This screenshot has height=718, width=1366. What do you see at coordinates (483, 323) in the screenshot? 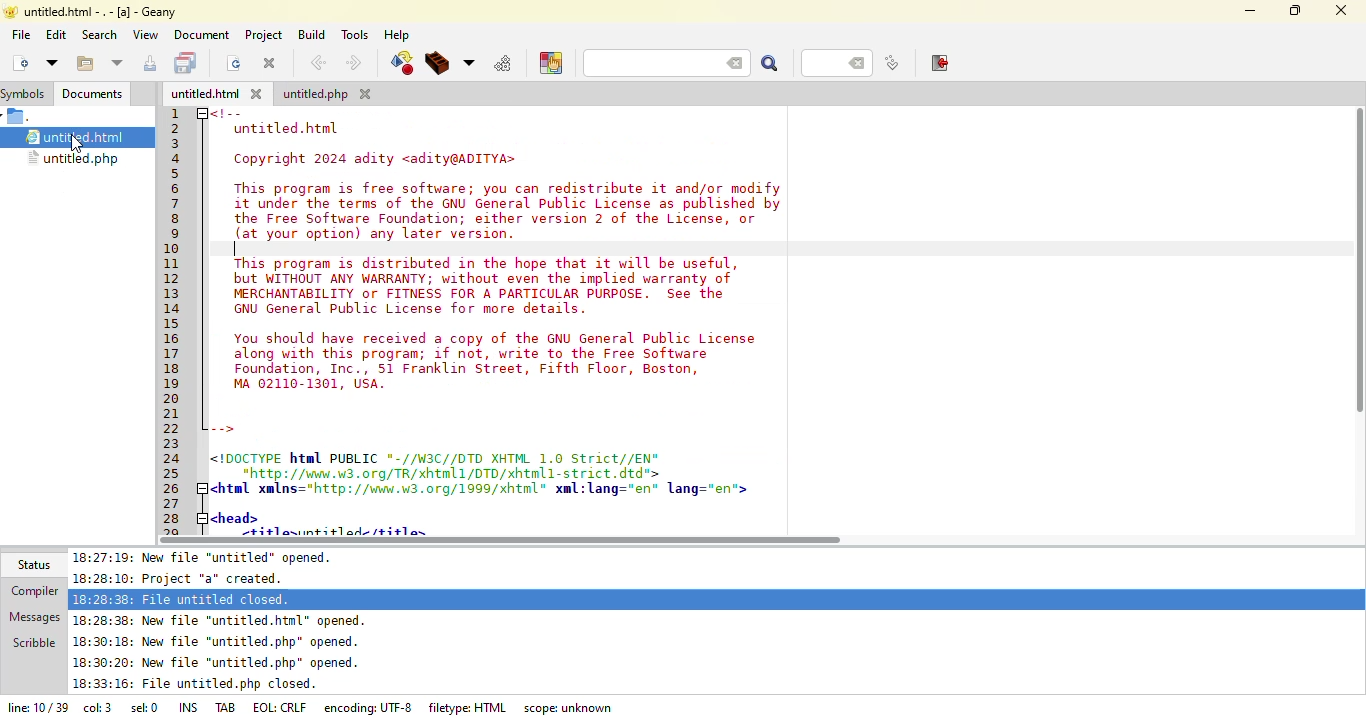
I see `untitled.html
Copyright 2024 adity <adity@ADITYA>
This program is free software; you can redistribute it and/or modify
it under the terms of the GNU General Public License as published by
the Free Software Foundation; either version 2 of the License, or
(at your option) any later version.
This program is distributed in the hope that it will be useful,
but WITHOUT ANY WARRANTY; without even the implied warranty of
MERCHANTABILITY or FITNESS FOR A PARTICULAR PURPOSE. See the
GNU General Public License for more details.
You should have received a copy of the GNU General Public License
along with this program; if not, write to the Free Software
Foundation, Inc., 51 Franklin Street, Fifth Floor, Boston,
MA 02110-1301, USA.
<!DOCTYPE html PUBLIC *-//W3C//DTD XHTML 1.0 Strict//EN"
“http://www .w3.org/TR/xhtml1/DTD/xhtml1-strict.dtd">
html xmlns="ht tp: //wiw.w3.0rg/1999/xhtnl* xal:lang="en" lang="en">
head>
prt TSC TR UP` at bounding box center [483, 323].